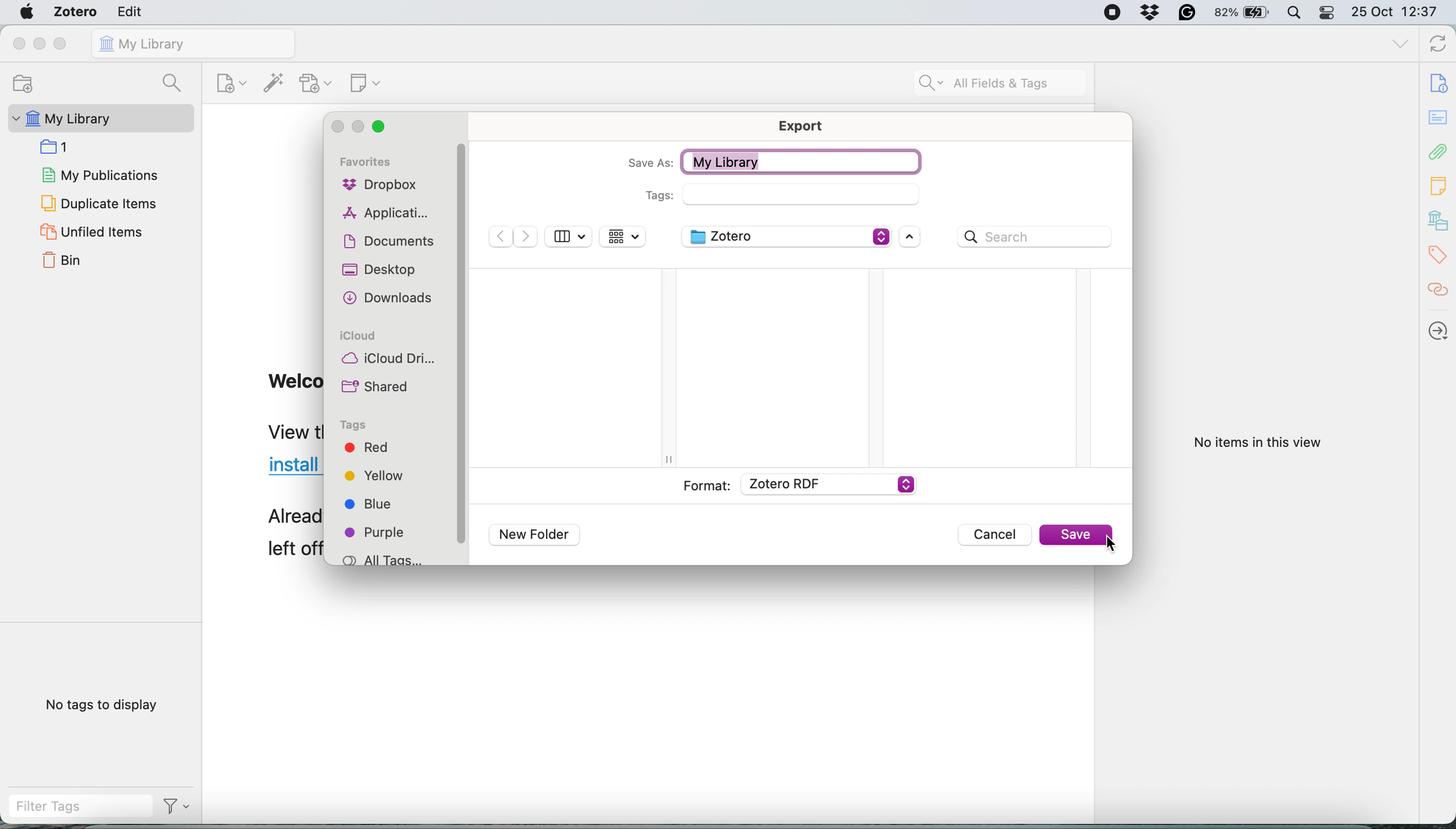 This screenshot has width=1456, height=829. What do you see at coordinates (133, 12) in the screenshot?
I see `Edit` at bounding box center [133, 12].